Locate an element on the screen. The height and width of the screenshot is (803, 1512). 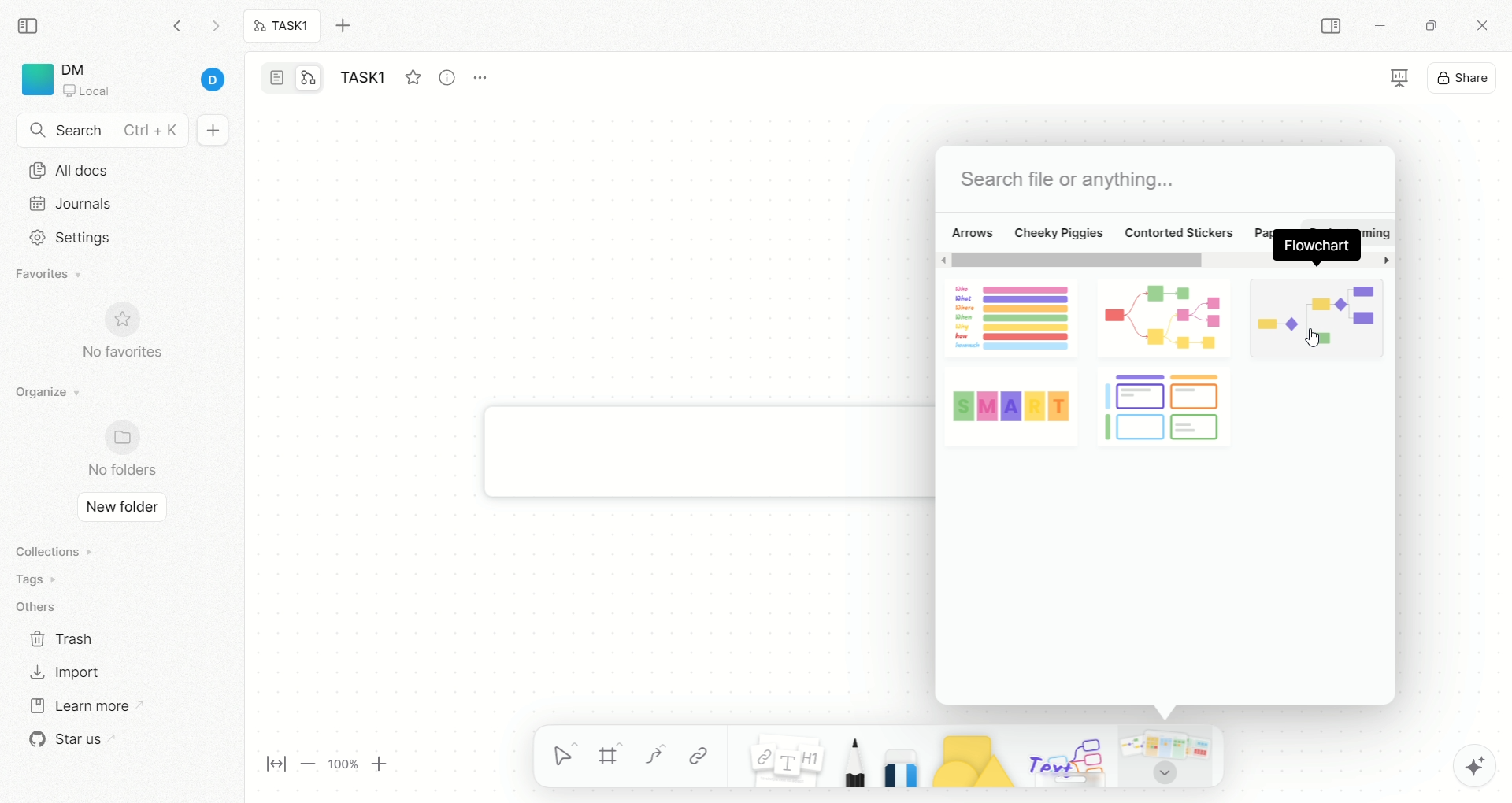
COLLAPSE SIDEBAR is located at coordinates (1332, 27).